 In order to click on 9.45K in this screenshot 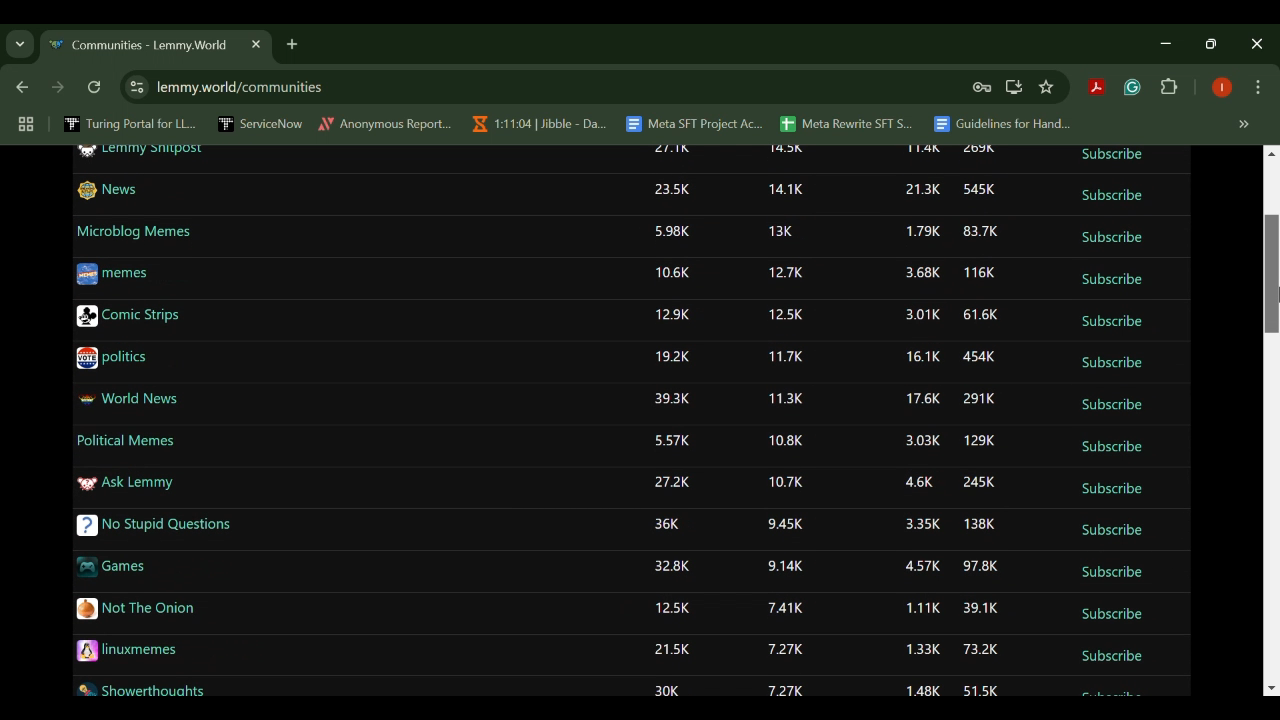, I will do `click(782, 521)`.